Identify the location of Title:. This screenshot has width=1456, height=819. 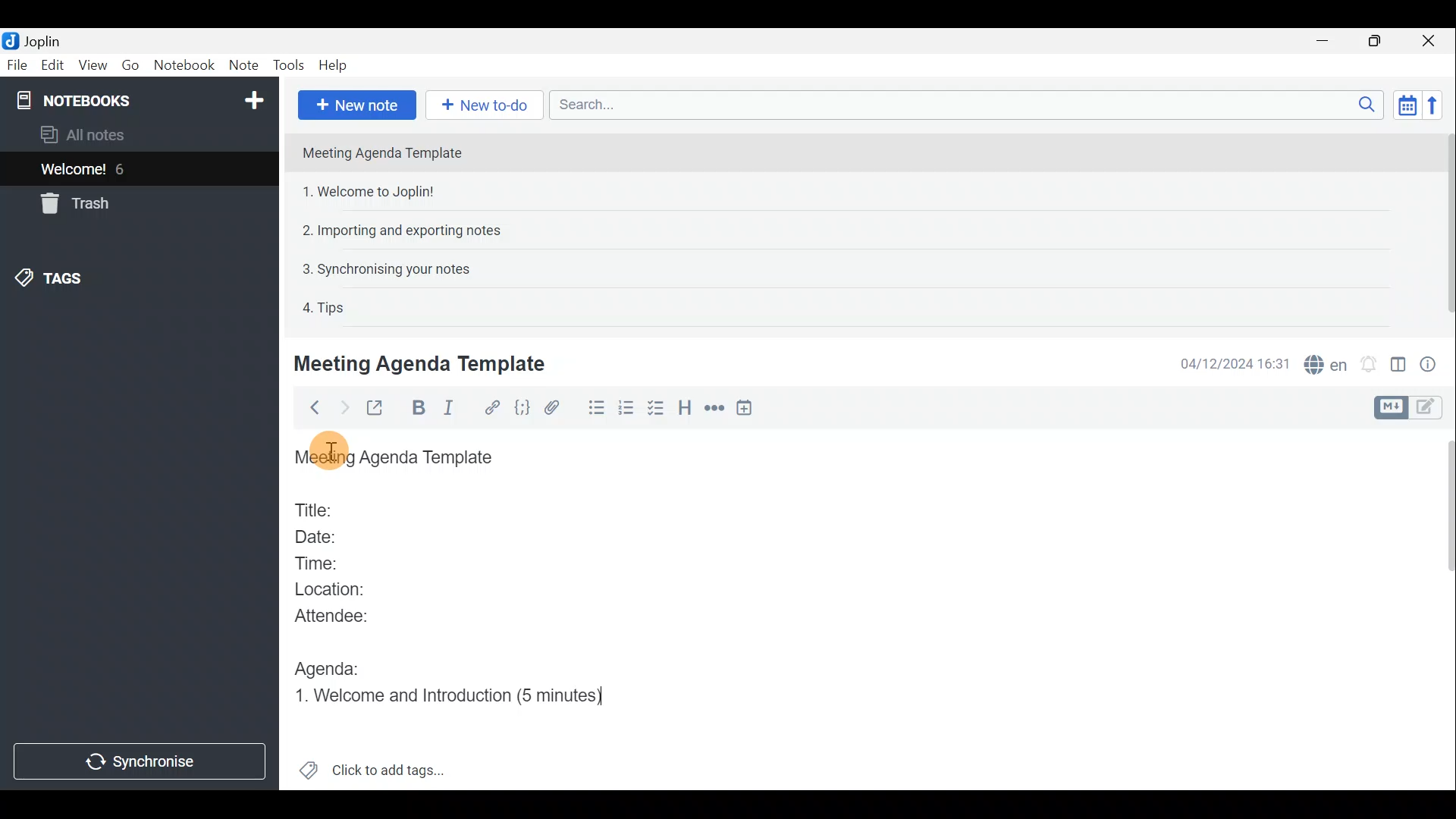
(316, 507).